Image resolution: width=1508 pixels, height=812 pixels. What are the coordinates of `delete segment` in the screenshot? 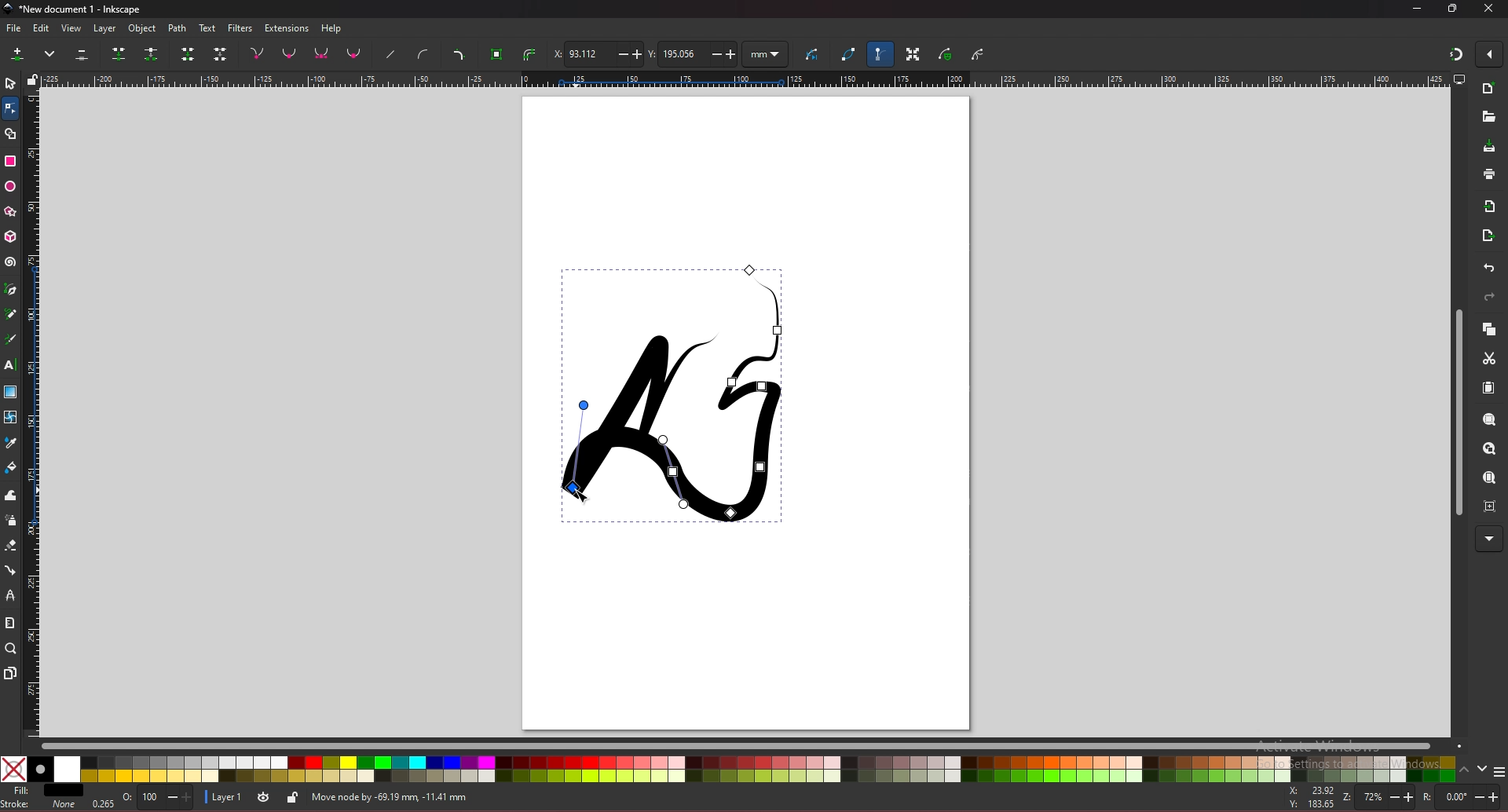 It's located at (221, 53).